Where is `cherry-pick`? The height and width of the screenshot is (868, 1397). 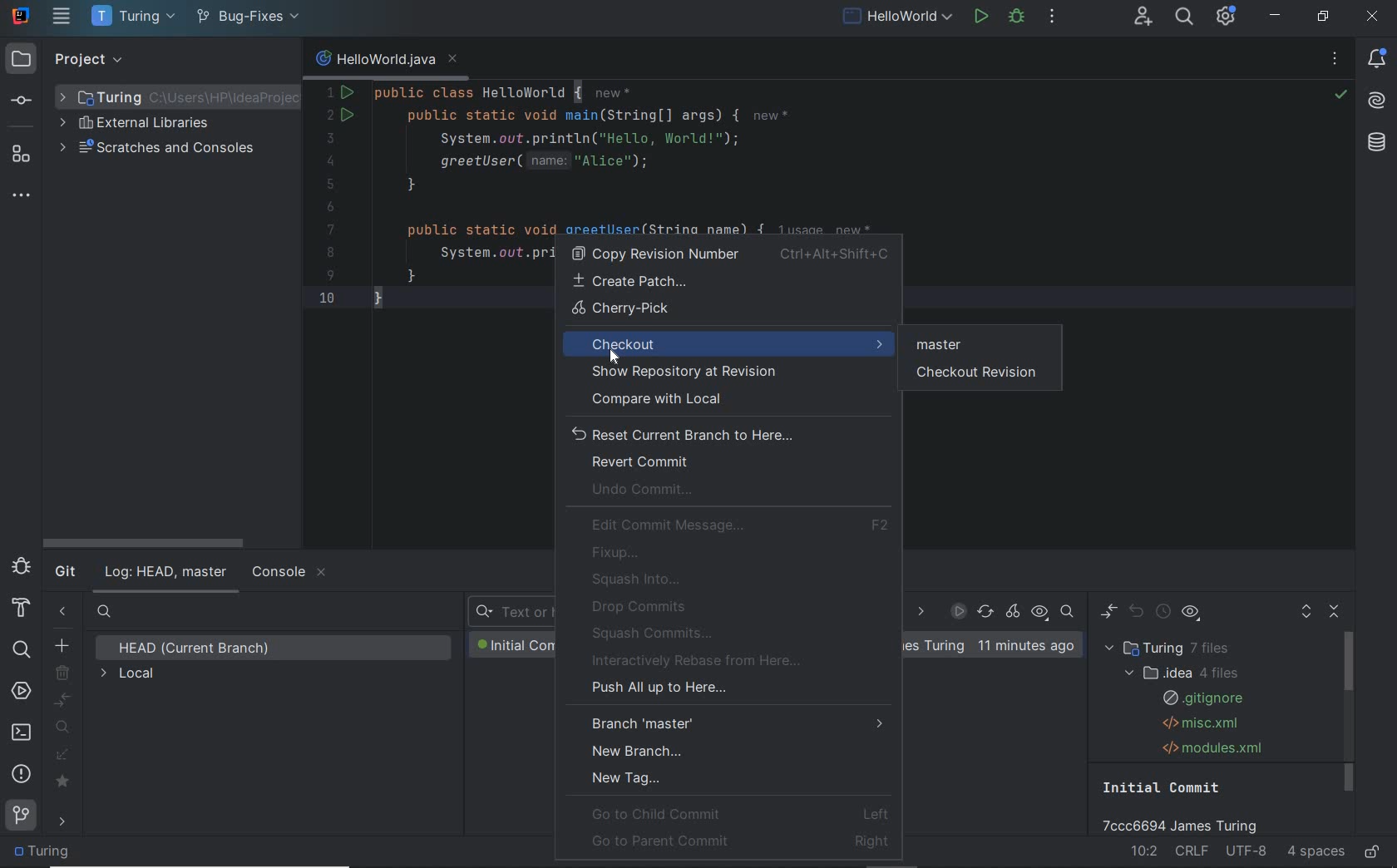
cherry-pick is located at coordinates (733, 311).